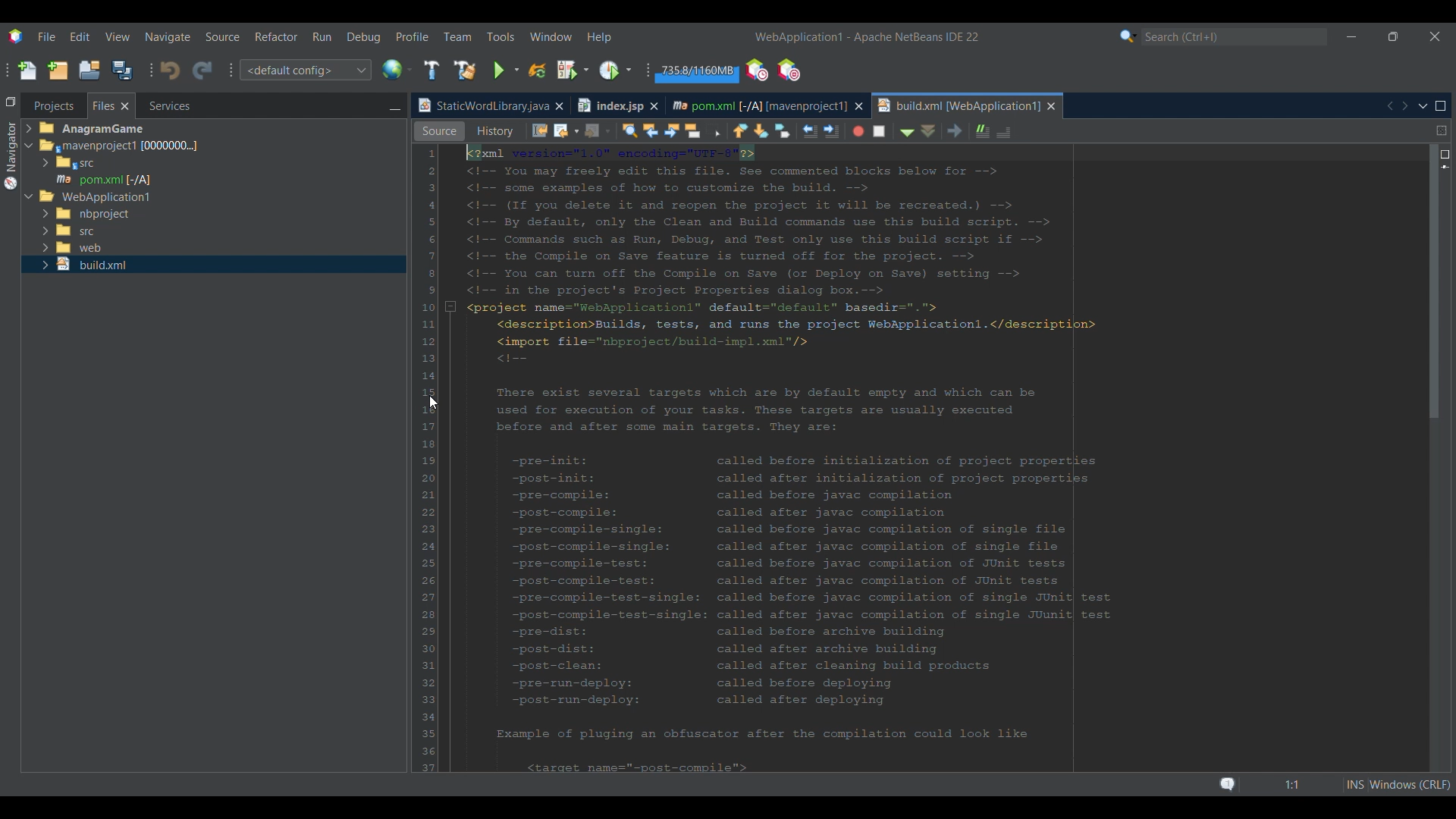  I want to click on Save all, so click(122, 70).